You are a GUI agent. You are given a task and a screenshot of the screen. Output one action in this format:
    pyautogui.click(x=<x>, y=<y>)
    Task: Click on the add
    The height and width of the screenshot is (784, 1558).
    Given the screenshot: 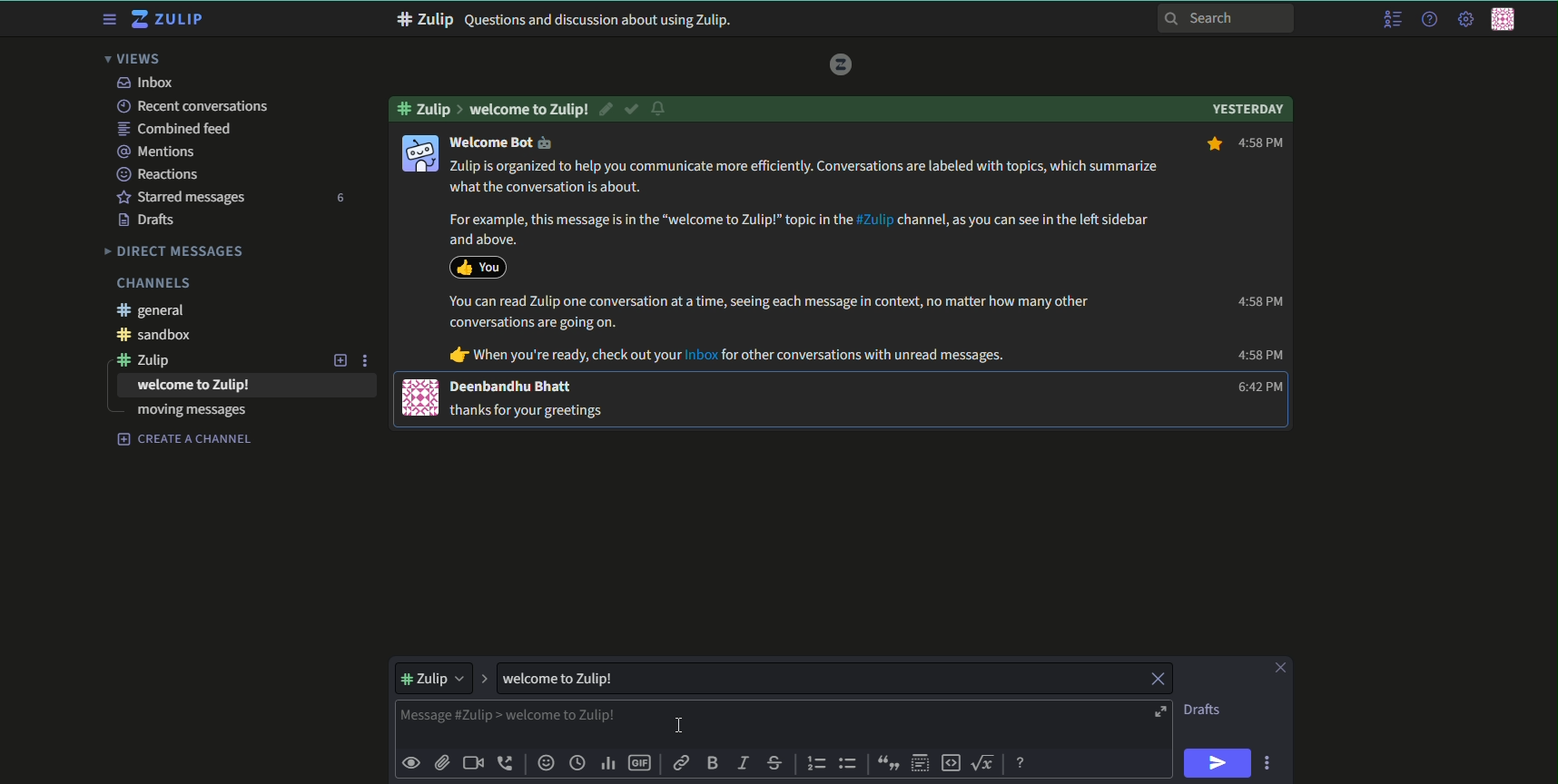 What is the action you would take?
    pyautogui.click(x=338, y=359)
    